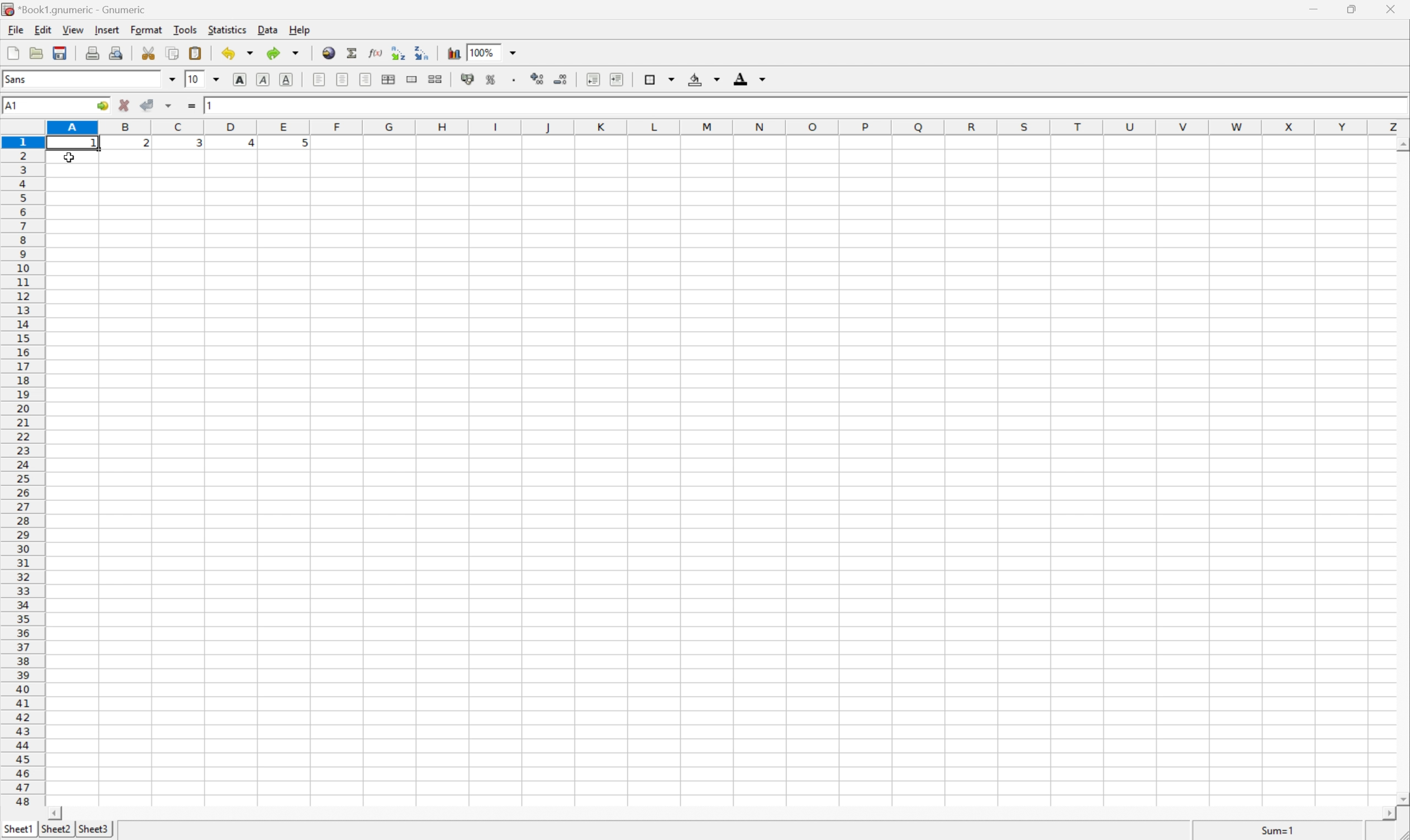  Describe the element at coordinates (1319, 10) in the screenshot. I see `minimize` at that location.